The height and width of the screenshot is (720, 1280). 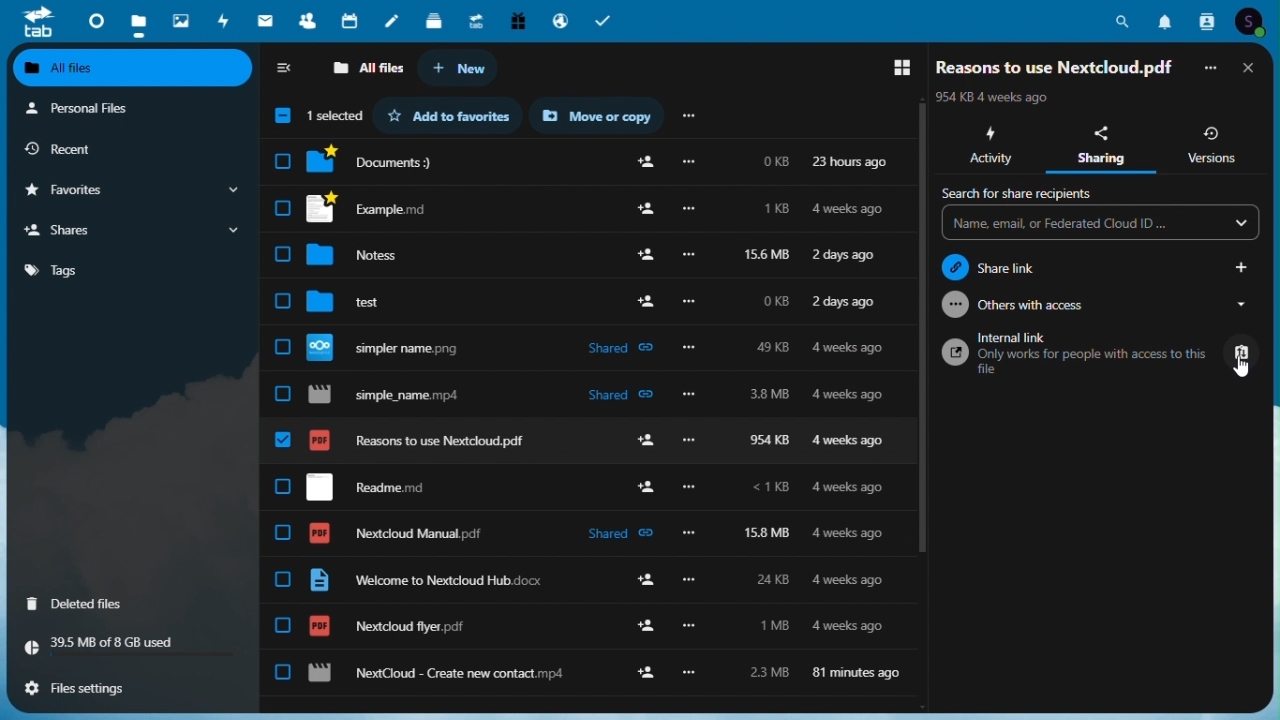 What do you see at coordinates (853, 301) in the screenshot?
I see `2 days ago` at bounding box center [853, 301].